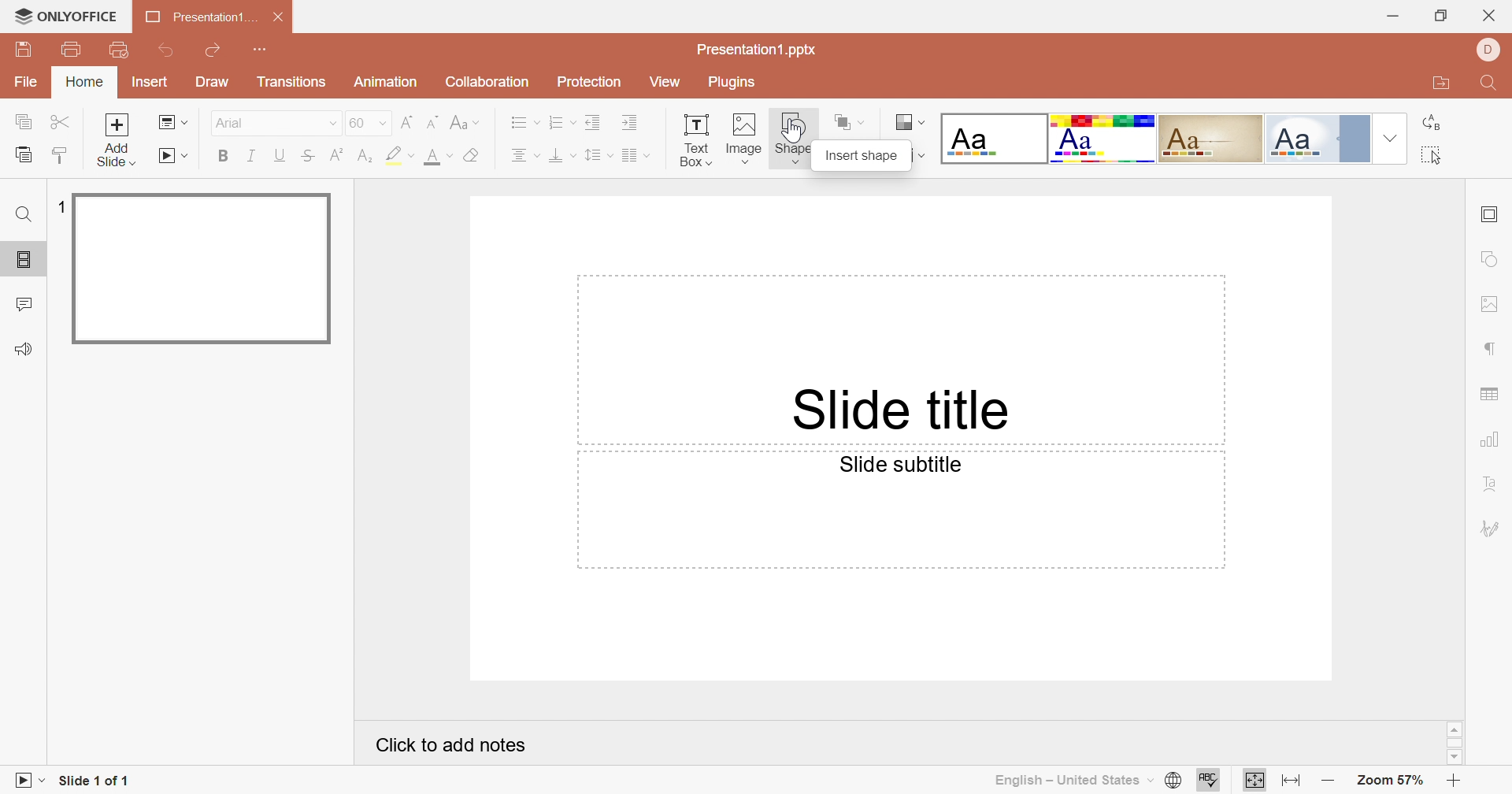  What do you see at coordinates (665, 83) in the screenshot?
I see `View` at bounding box center [665, 83].